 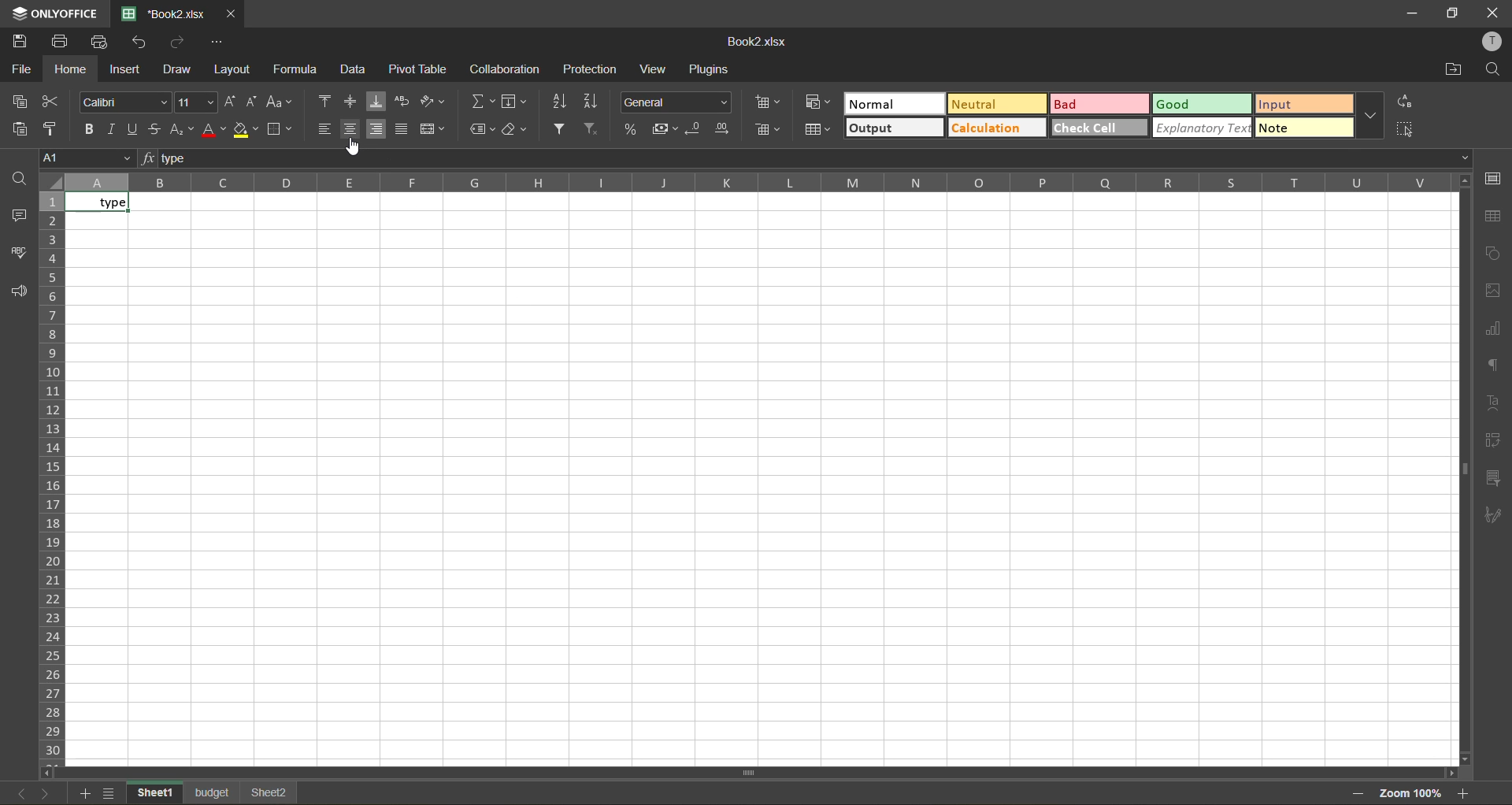 What do you see at coordinates (406, 131) in the screenshot?
I see `justified` at bounding box center [406, 131].